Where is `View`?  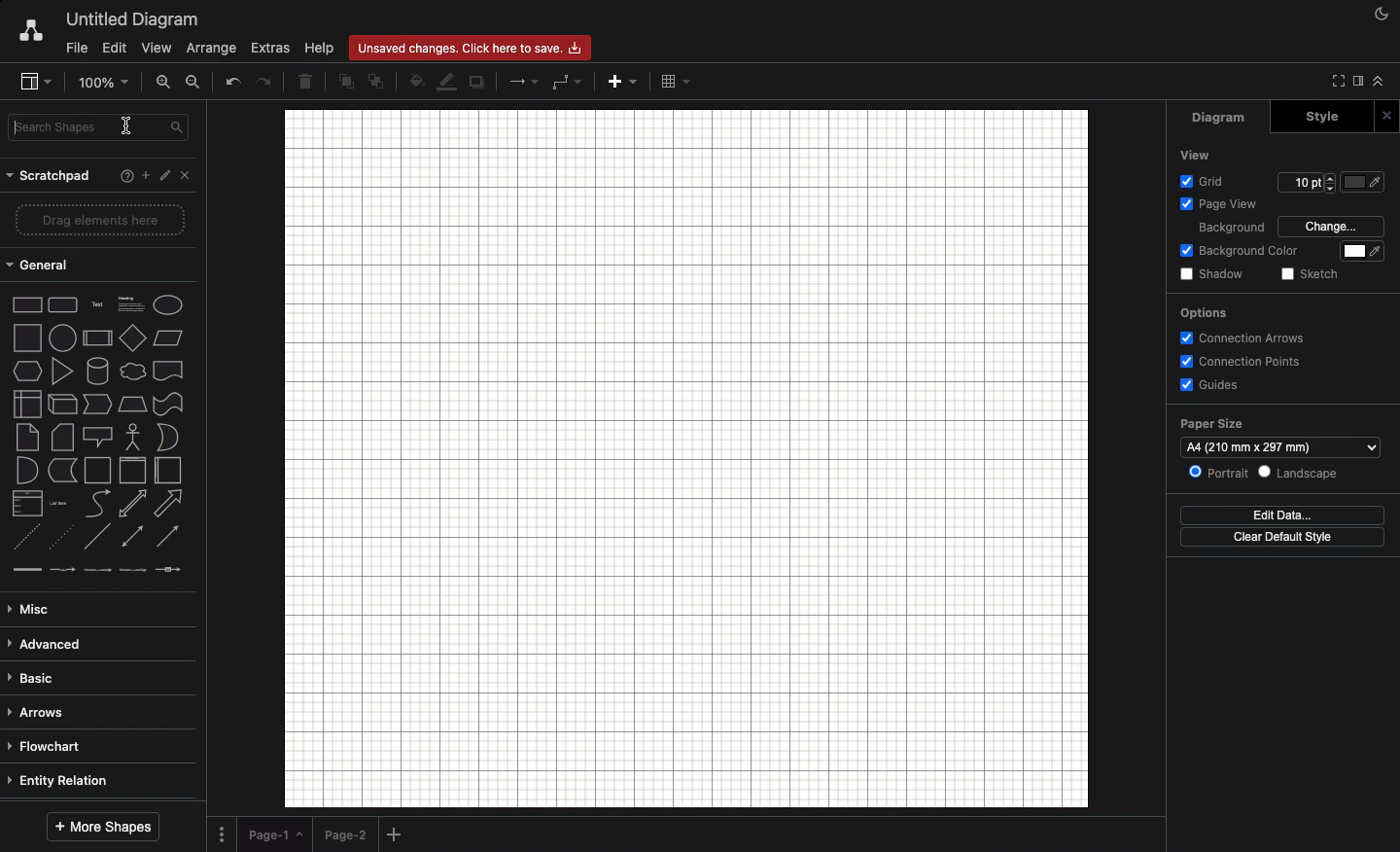 View is located at coordinates (157, 50).